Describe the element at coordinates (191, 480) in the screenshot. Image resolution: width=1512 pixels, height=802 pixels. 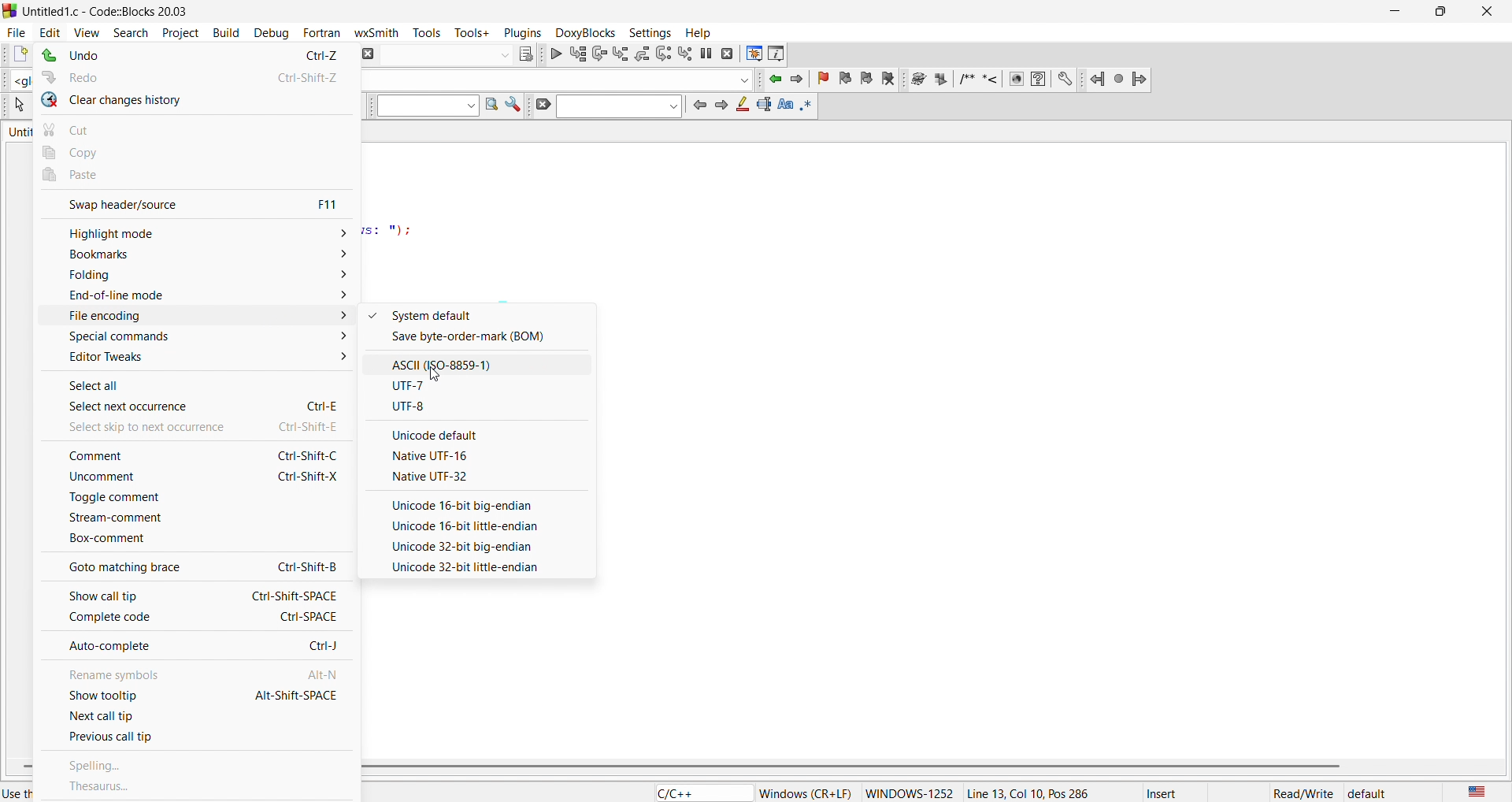
I see `uncomment` at that location.